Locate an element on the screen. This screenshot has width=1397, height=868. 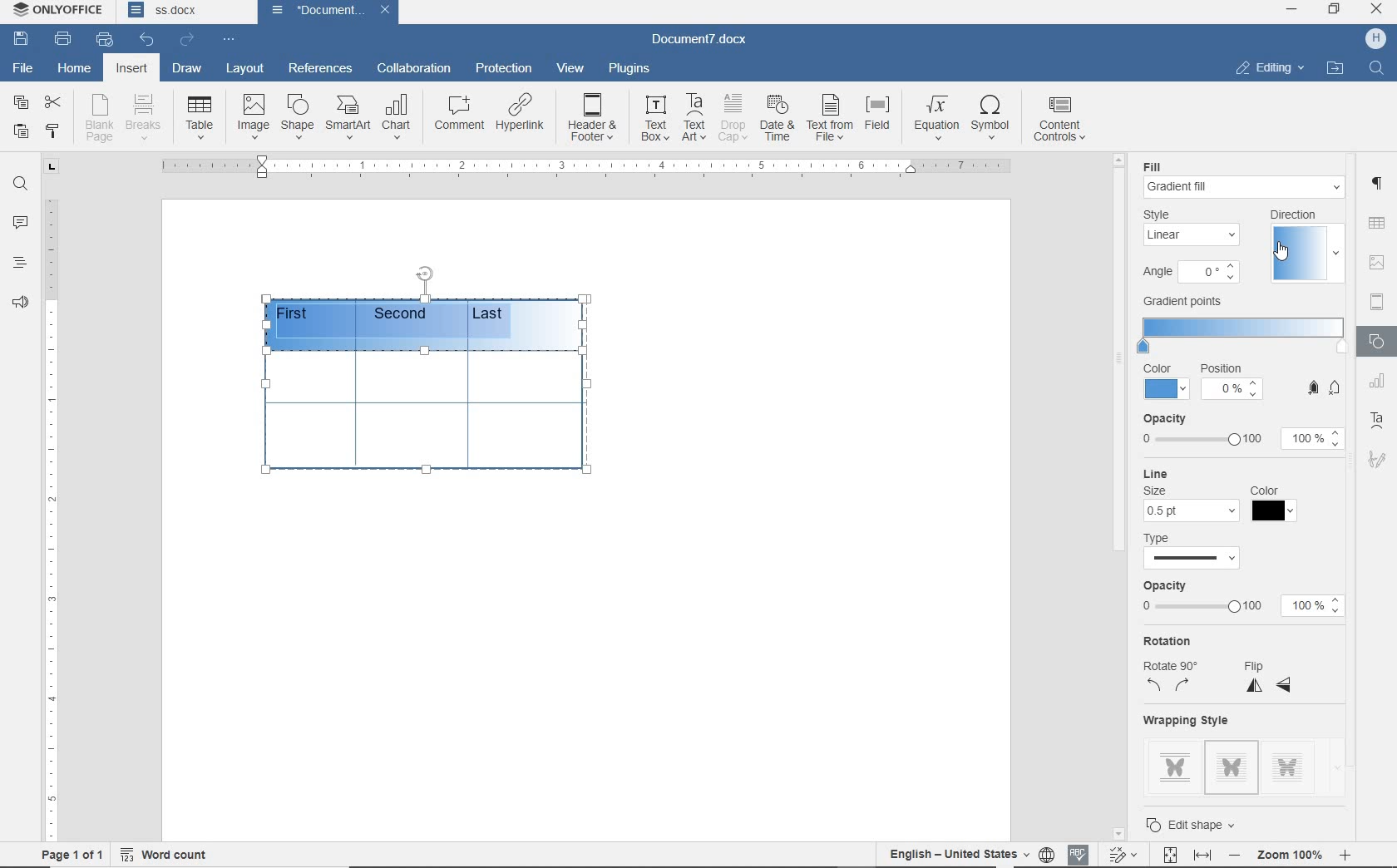
text art is located at coordinates (1380, 423).